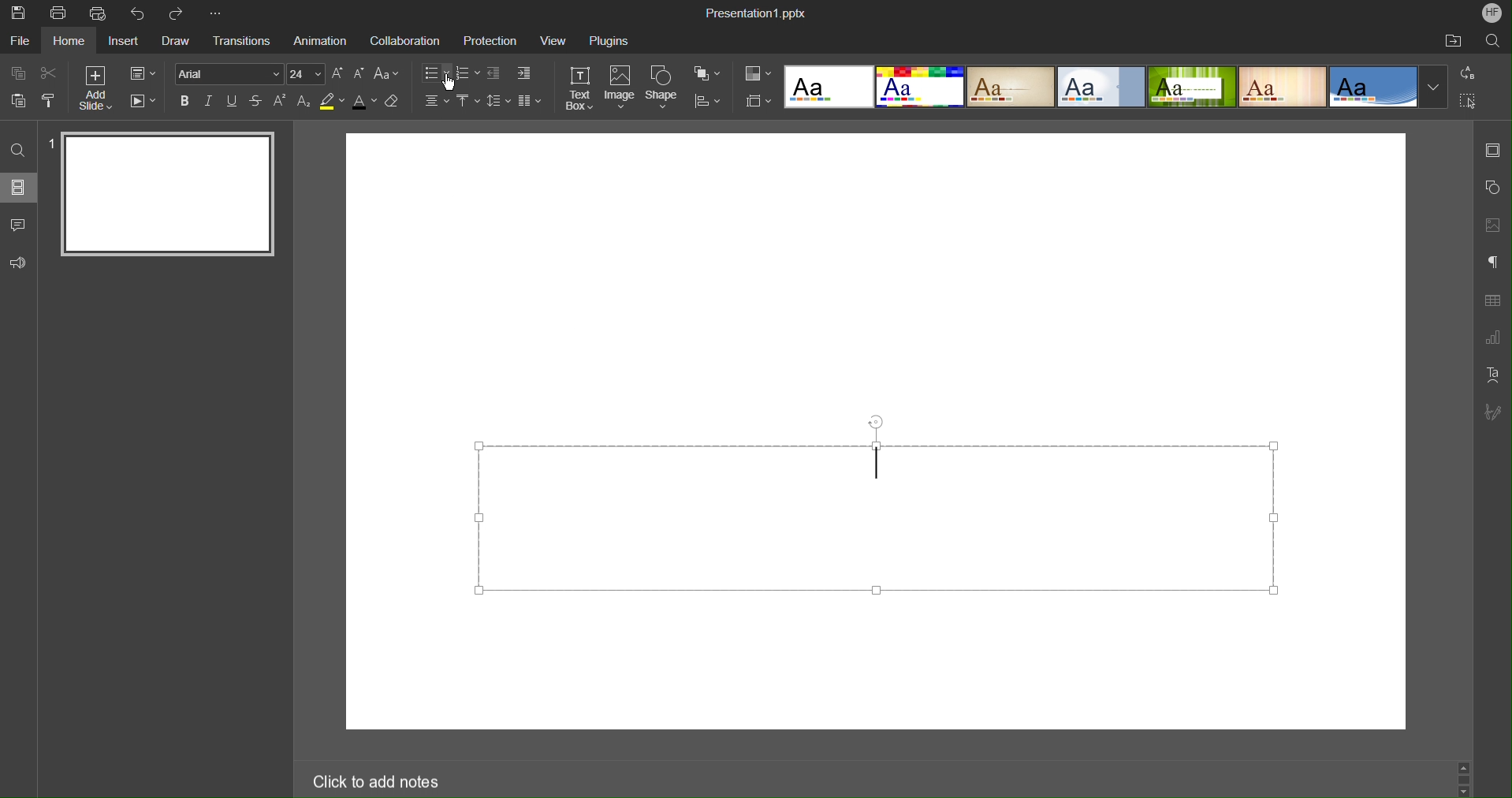  Describe the element at coordinates (95, 87) in the screenshot. I see `Add Slide` at that location.